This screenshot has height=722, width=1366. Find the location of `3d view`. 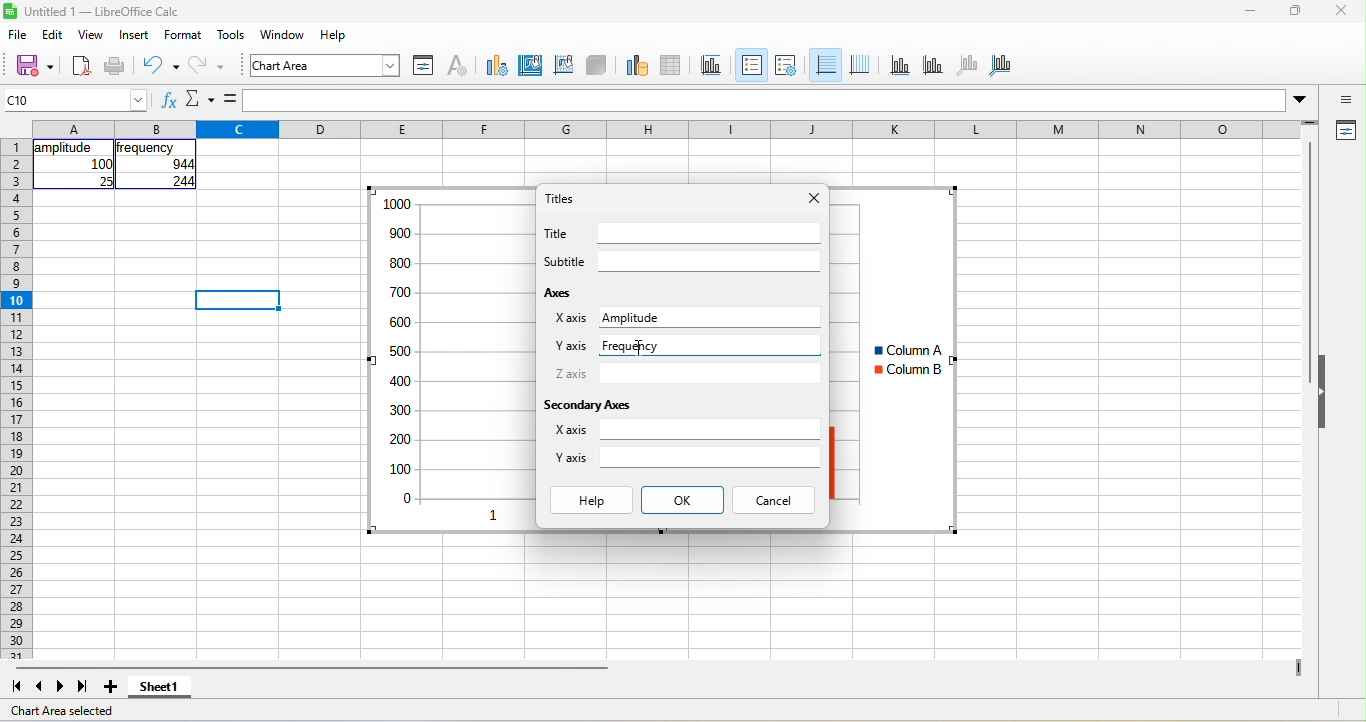

3d view is located at coordinates (596, 66).